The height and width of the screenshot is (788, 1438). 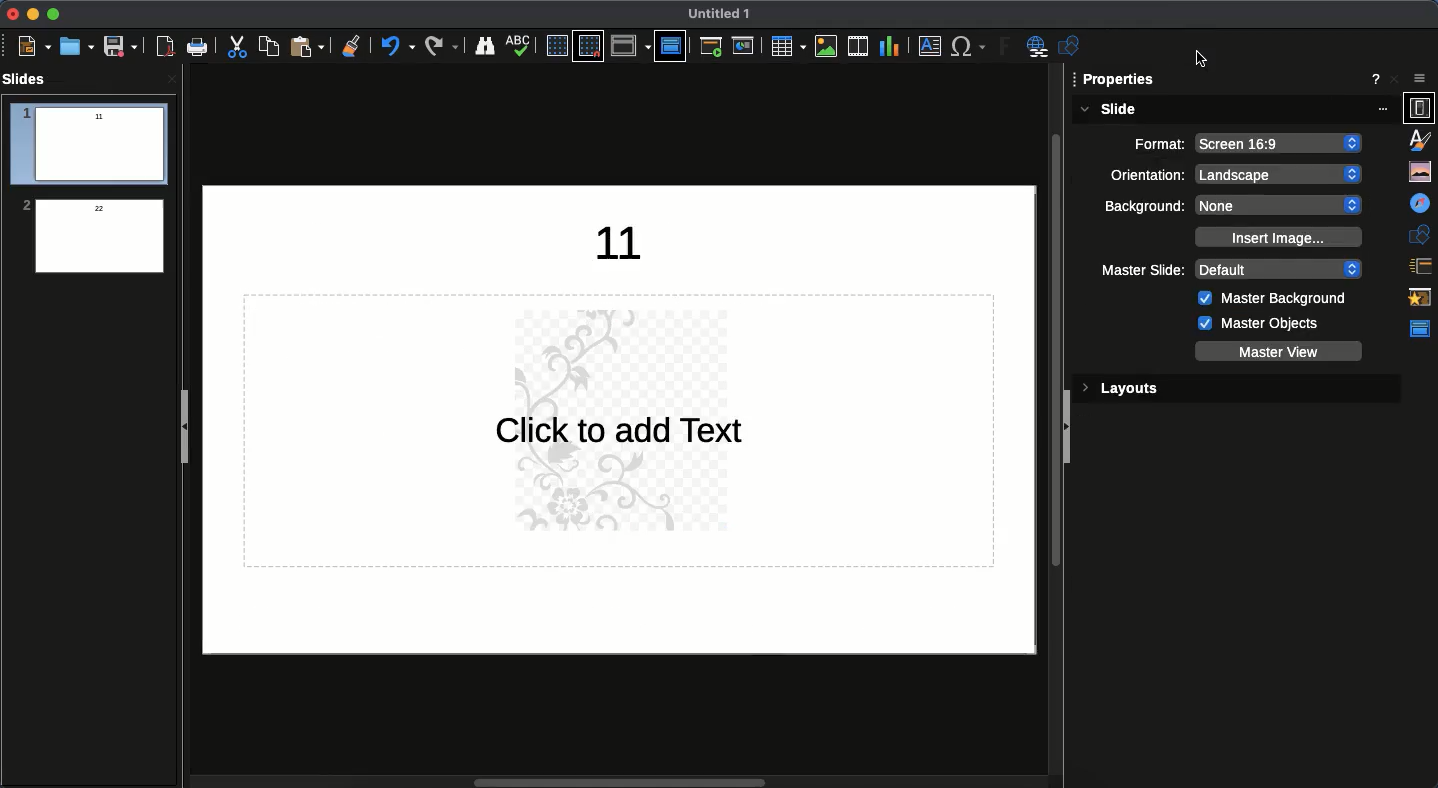 I want to click on Orientation, so click(x=1145, y=175).